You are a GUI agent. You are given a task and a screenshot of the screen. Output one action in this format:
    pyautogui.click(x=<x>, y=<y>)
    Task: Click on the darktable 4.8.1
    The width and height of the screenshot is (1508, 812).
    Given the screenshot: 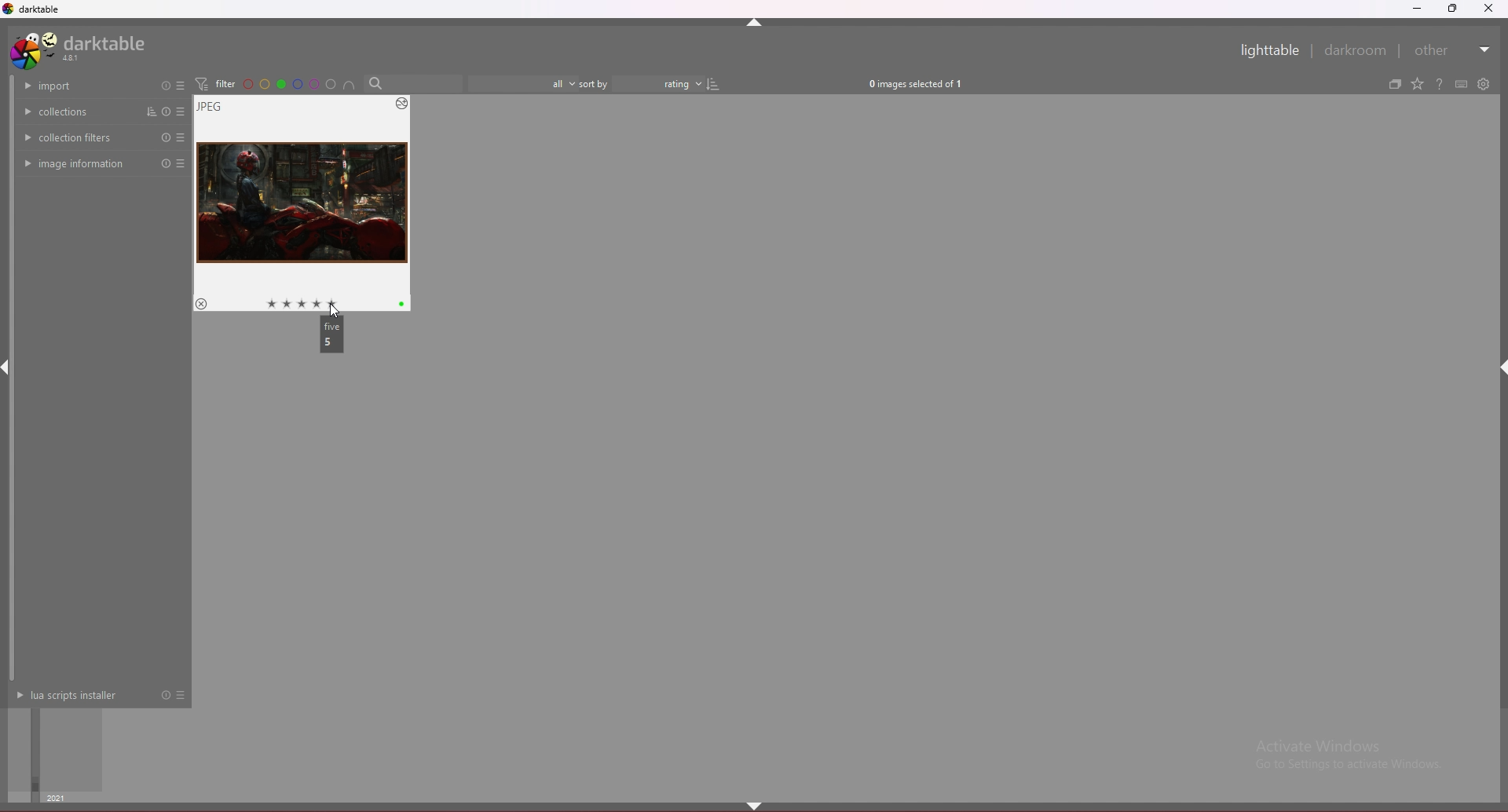 What is the action you would take?
    pyautogui.click(x=82, y=49)
    